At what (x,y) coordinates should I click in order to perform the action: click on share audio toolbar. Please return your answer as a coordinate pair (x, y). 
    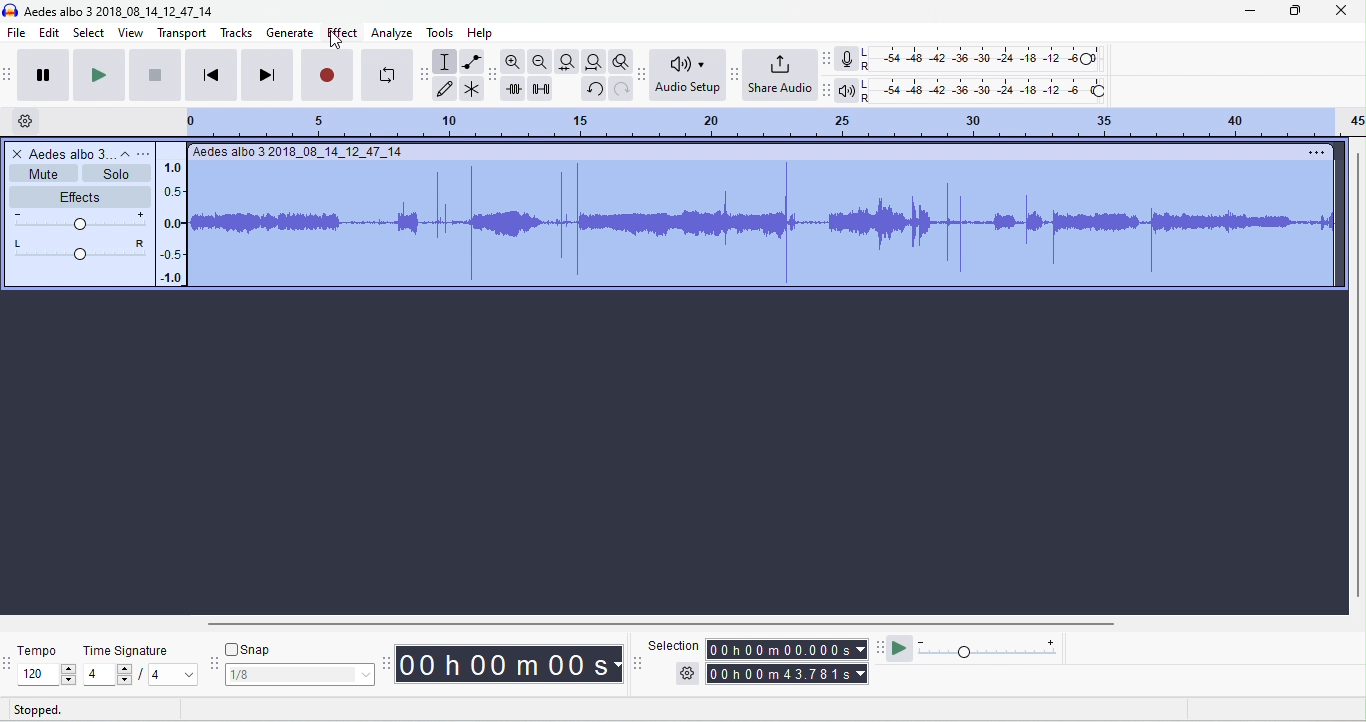
    Looking at the image, I should click on (734, 73).